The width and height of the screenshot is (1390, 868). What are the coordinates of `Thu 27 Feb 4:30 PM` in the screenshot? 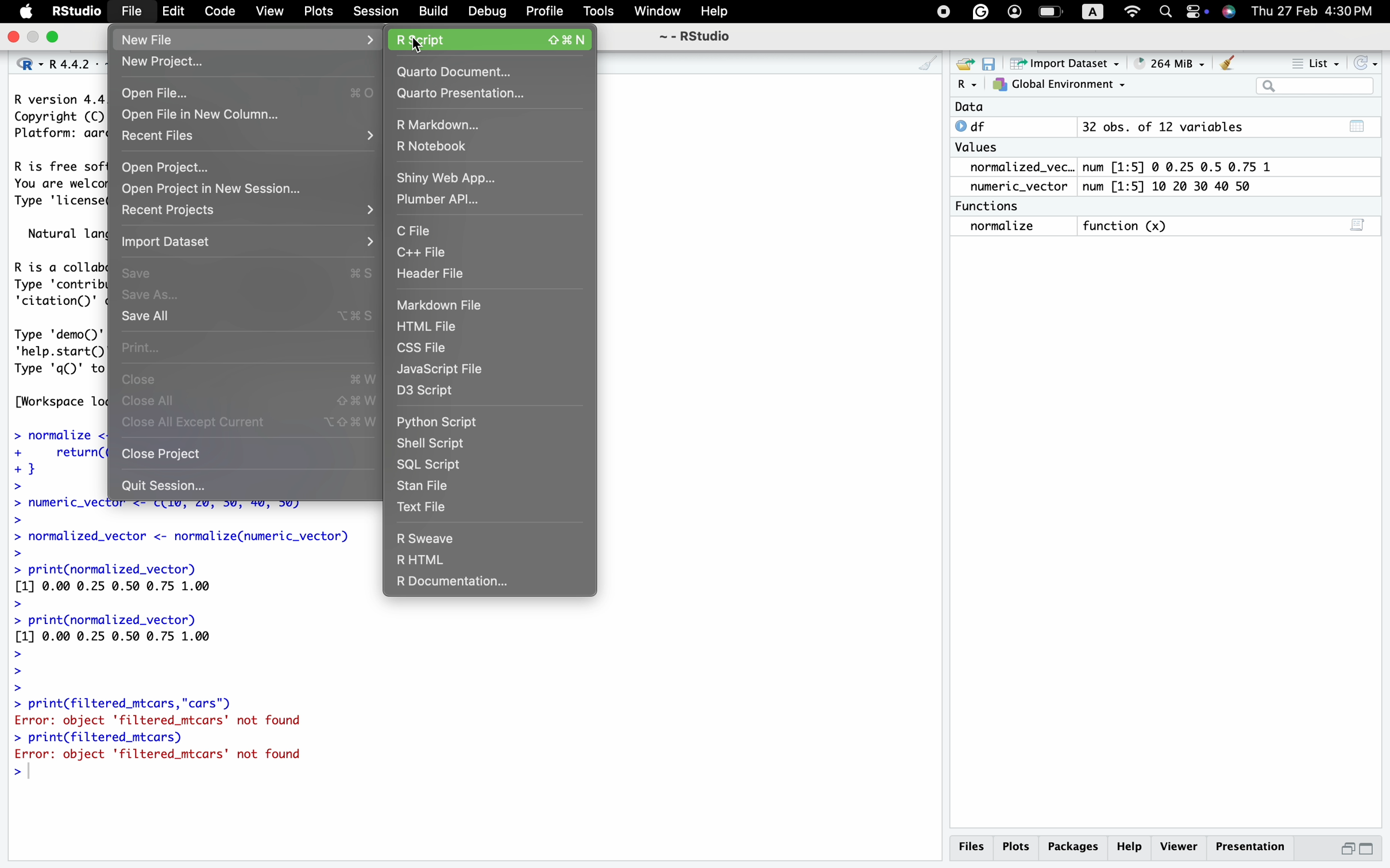 It's located at (1317, 11).